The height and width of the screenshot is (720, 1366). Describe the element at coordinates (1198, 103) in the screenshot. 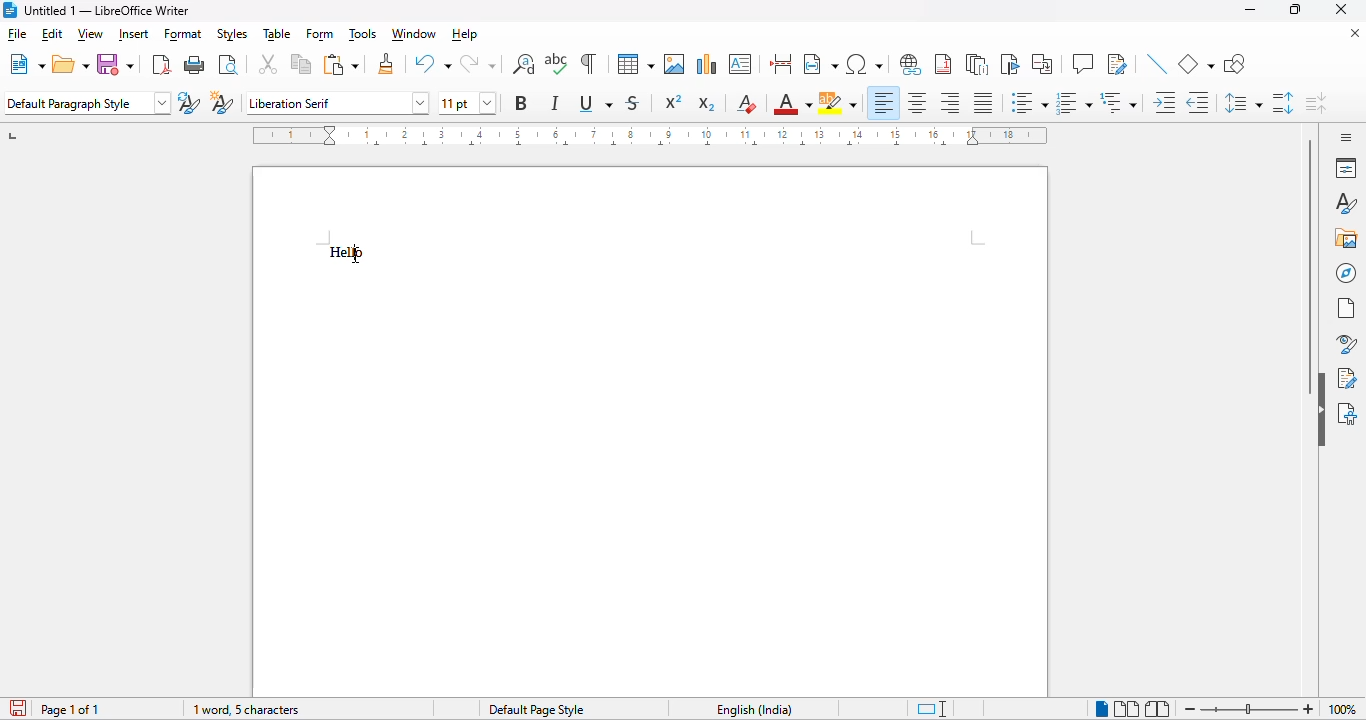

I see `decrease indent` at that location.